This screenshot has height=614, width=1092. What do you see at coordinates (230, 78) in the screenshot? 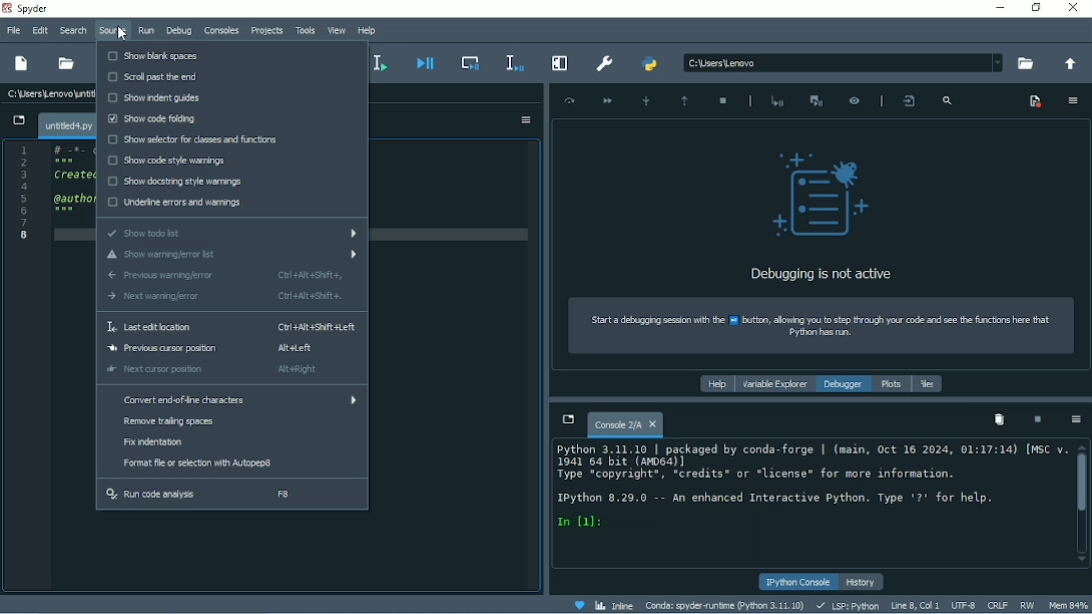
I see `Scroll past the end` at bounding box center [230, 78].